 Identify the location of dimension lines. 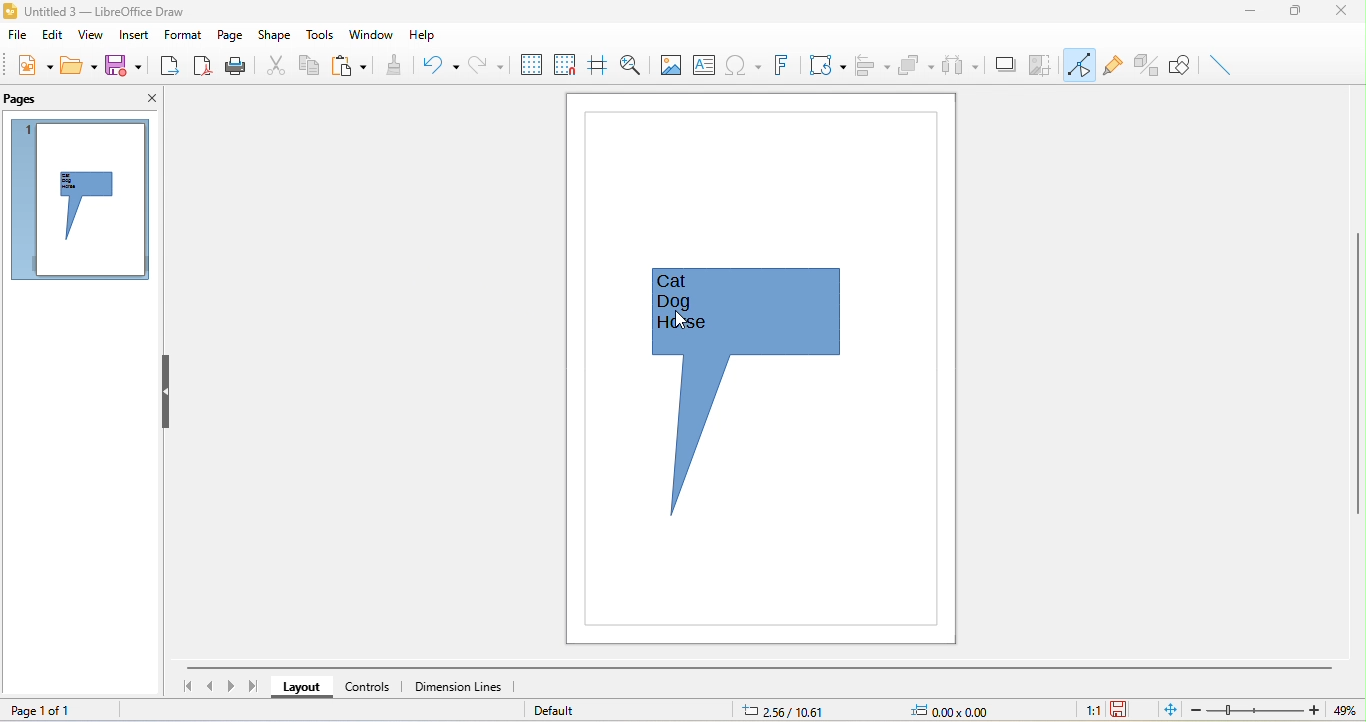
(464, 688).